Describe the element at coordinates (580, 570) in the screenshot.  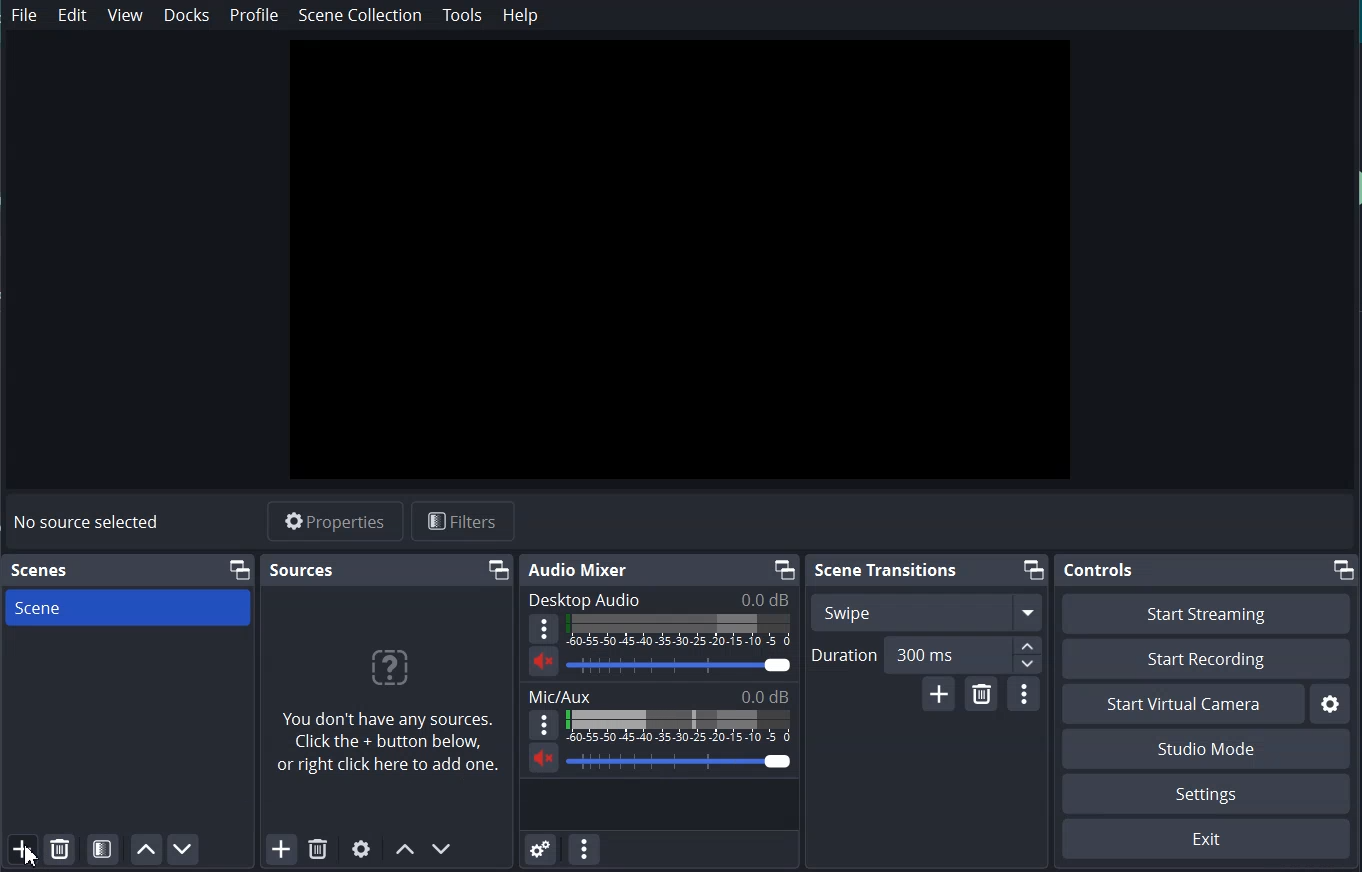
I see `Audio mixer` at that location.